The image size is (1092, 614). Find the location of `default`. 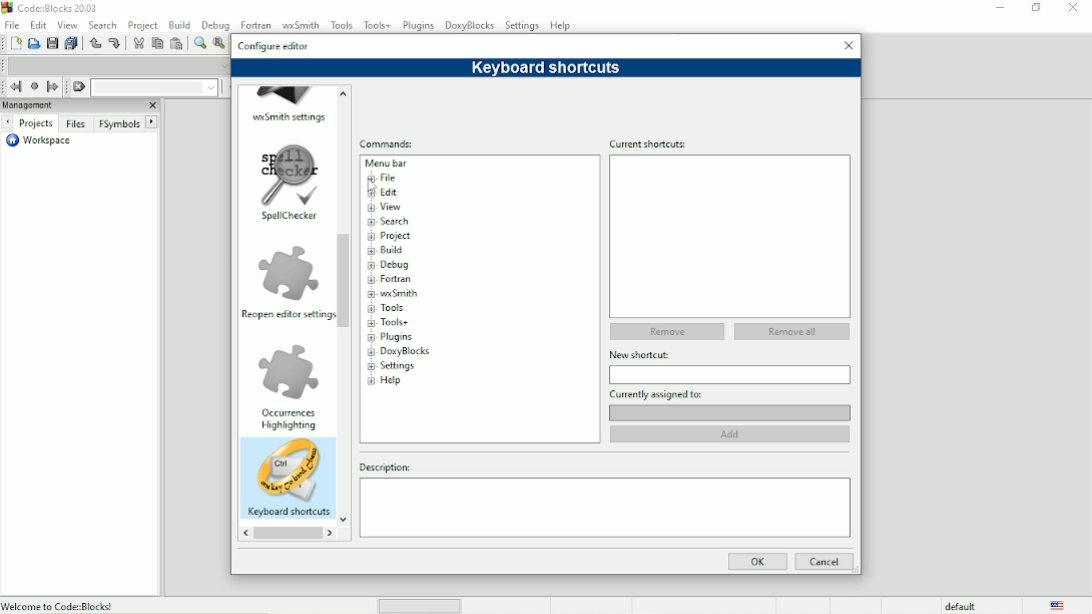

default is located at coordinates (962, 606).